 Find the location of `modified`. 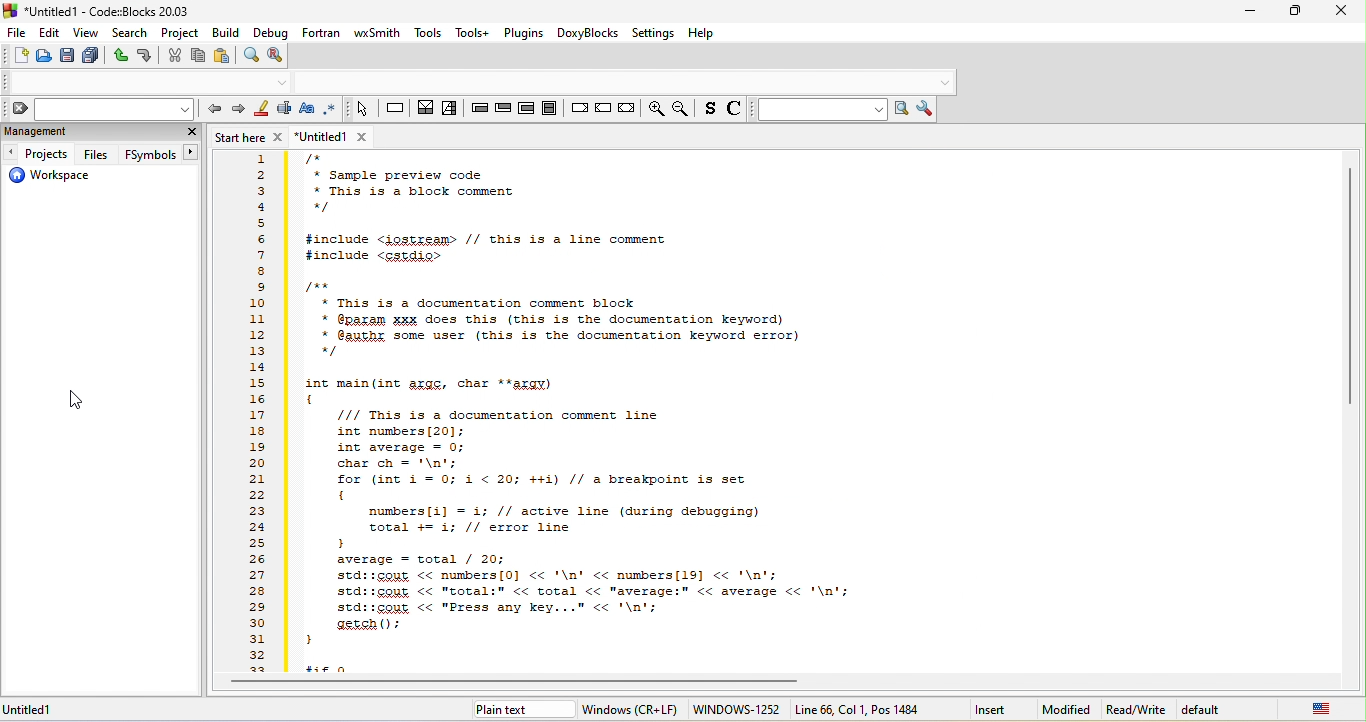

modified is located at coordinates (1069, 710).